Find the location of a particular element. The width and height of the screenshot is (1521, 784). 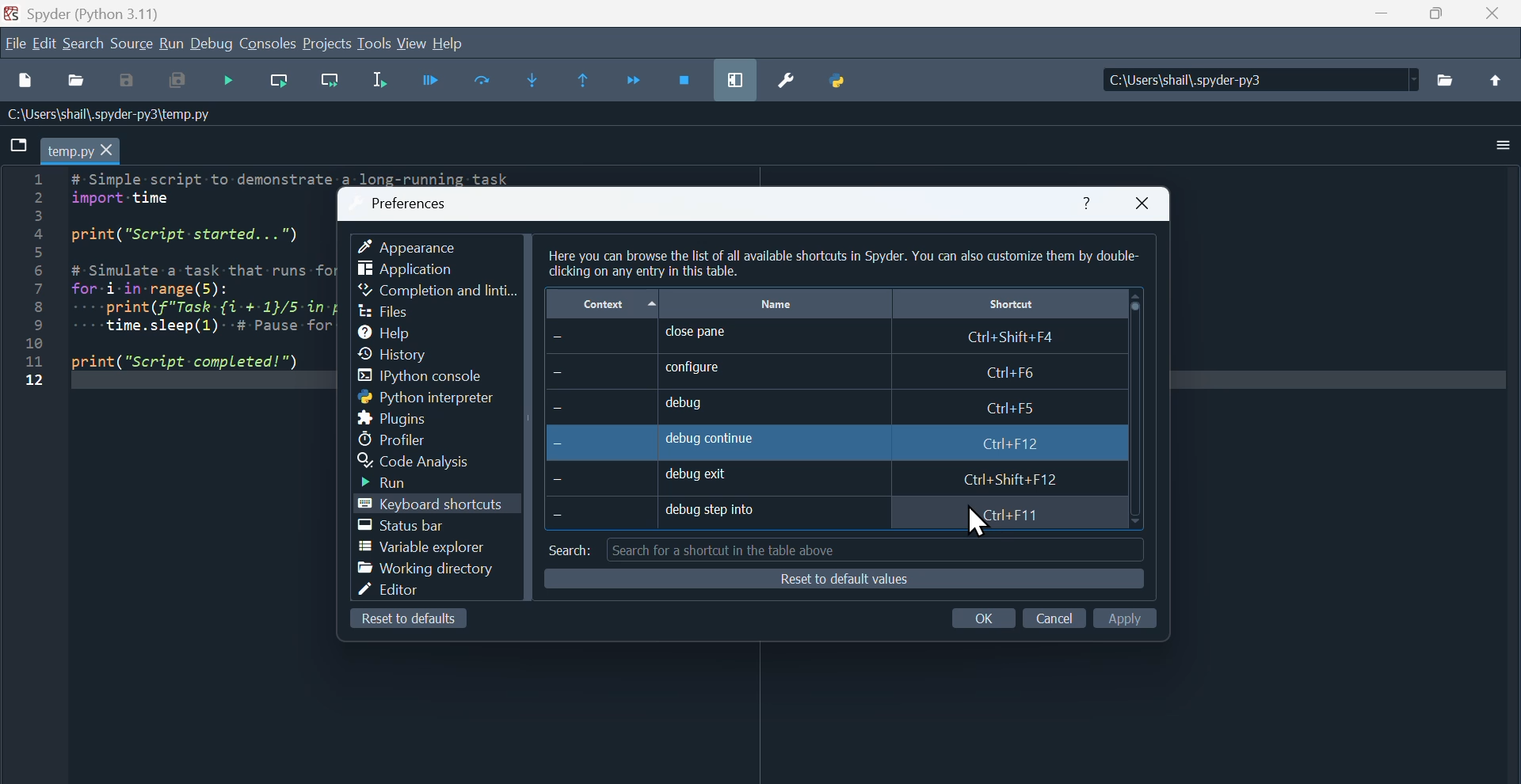

Preferences is located at coordinates (413, 199).